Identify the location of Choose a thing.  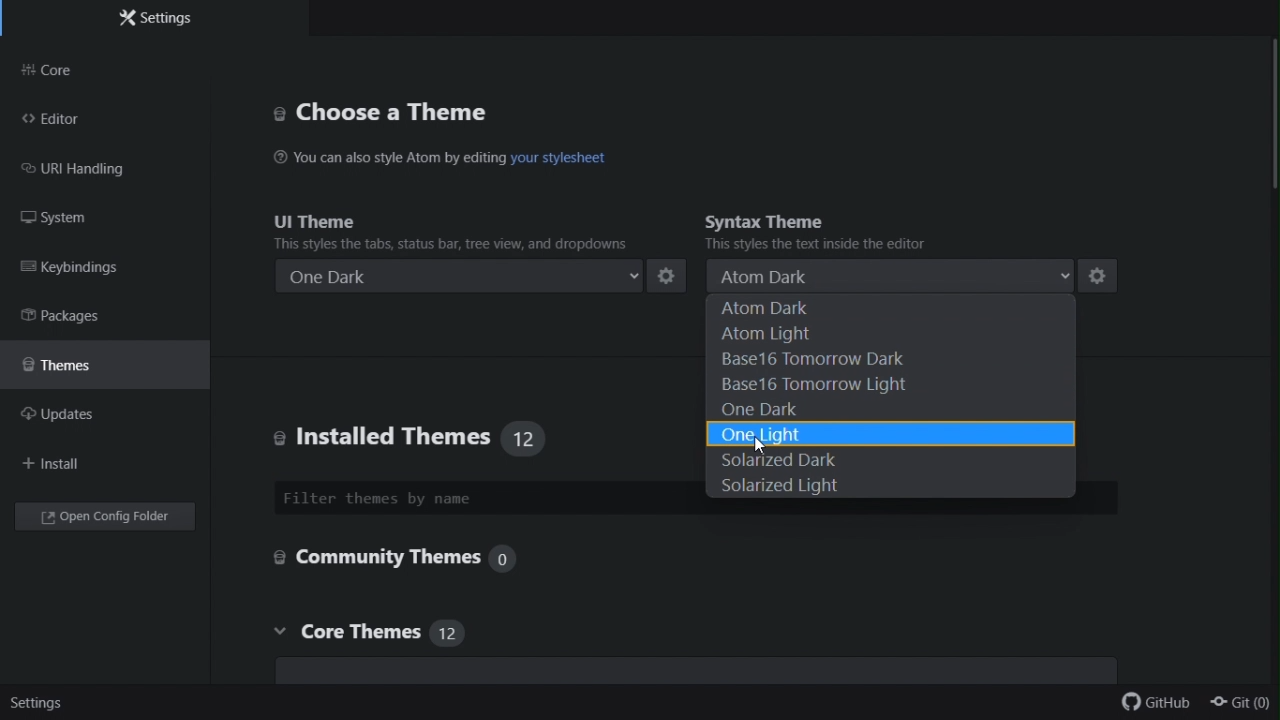
(387, 111).